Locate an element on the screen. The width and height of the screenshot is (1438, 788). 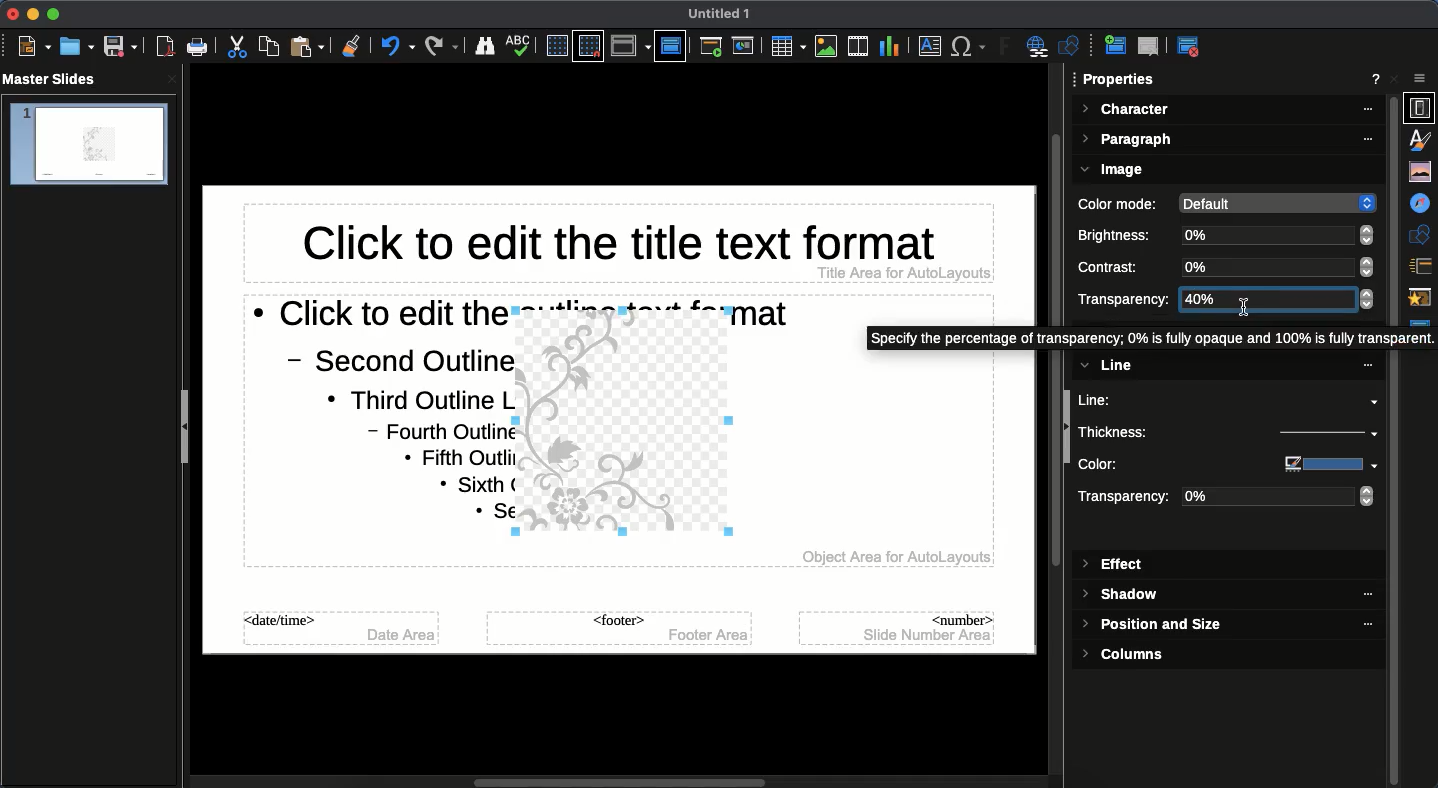
Shapes is located at coordinates (1422, 234).